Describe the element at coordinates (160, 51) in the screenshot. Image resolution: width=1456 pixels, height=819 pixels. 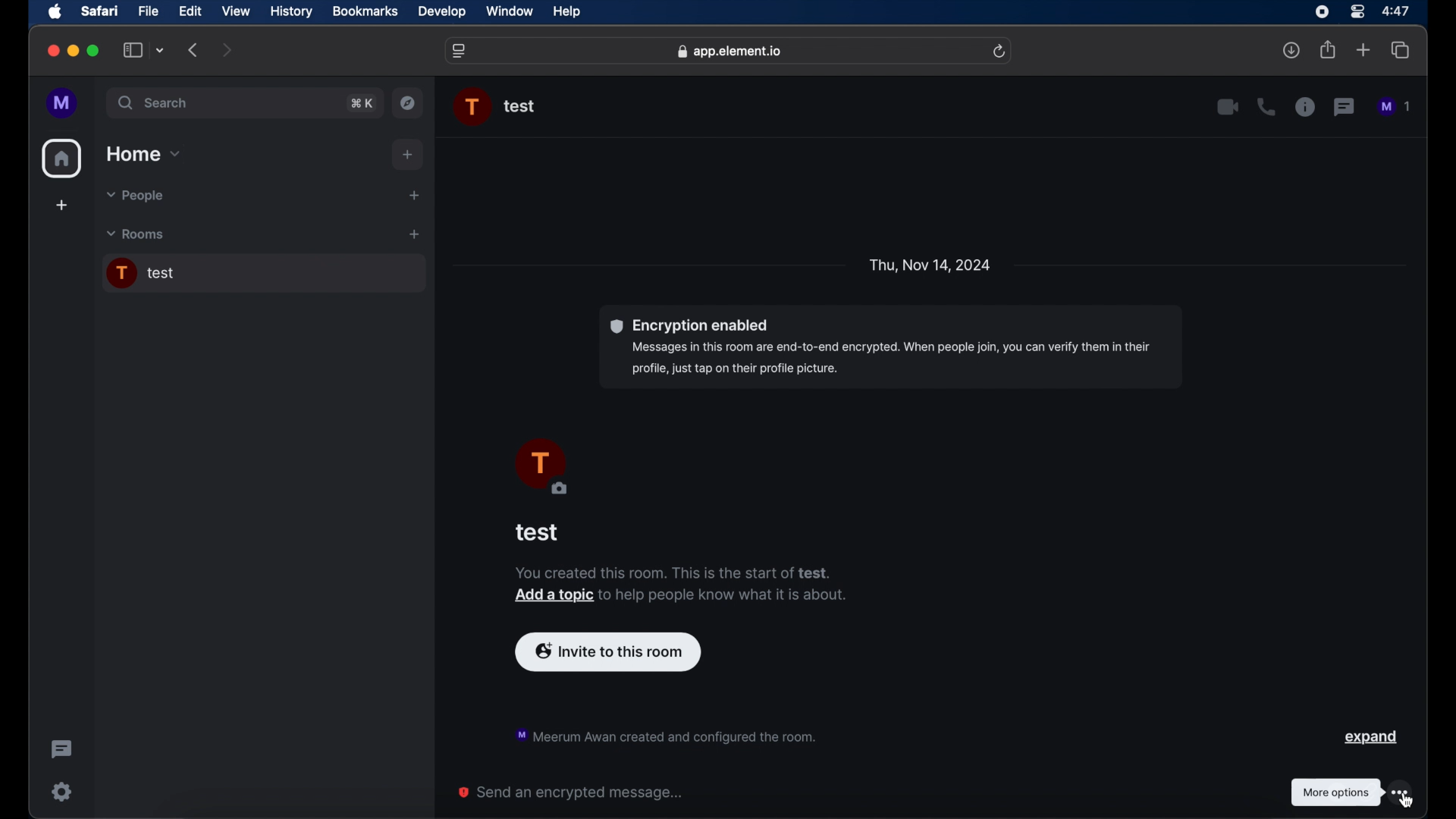
I see `tab group  picker` at that location.